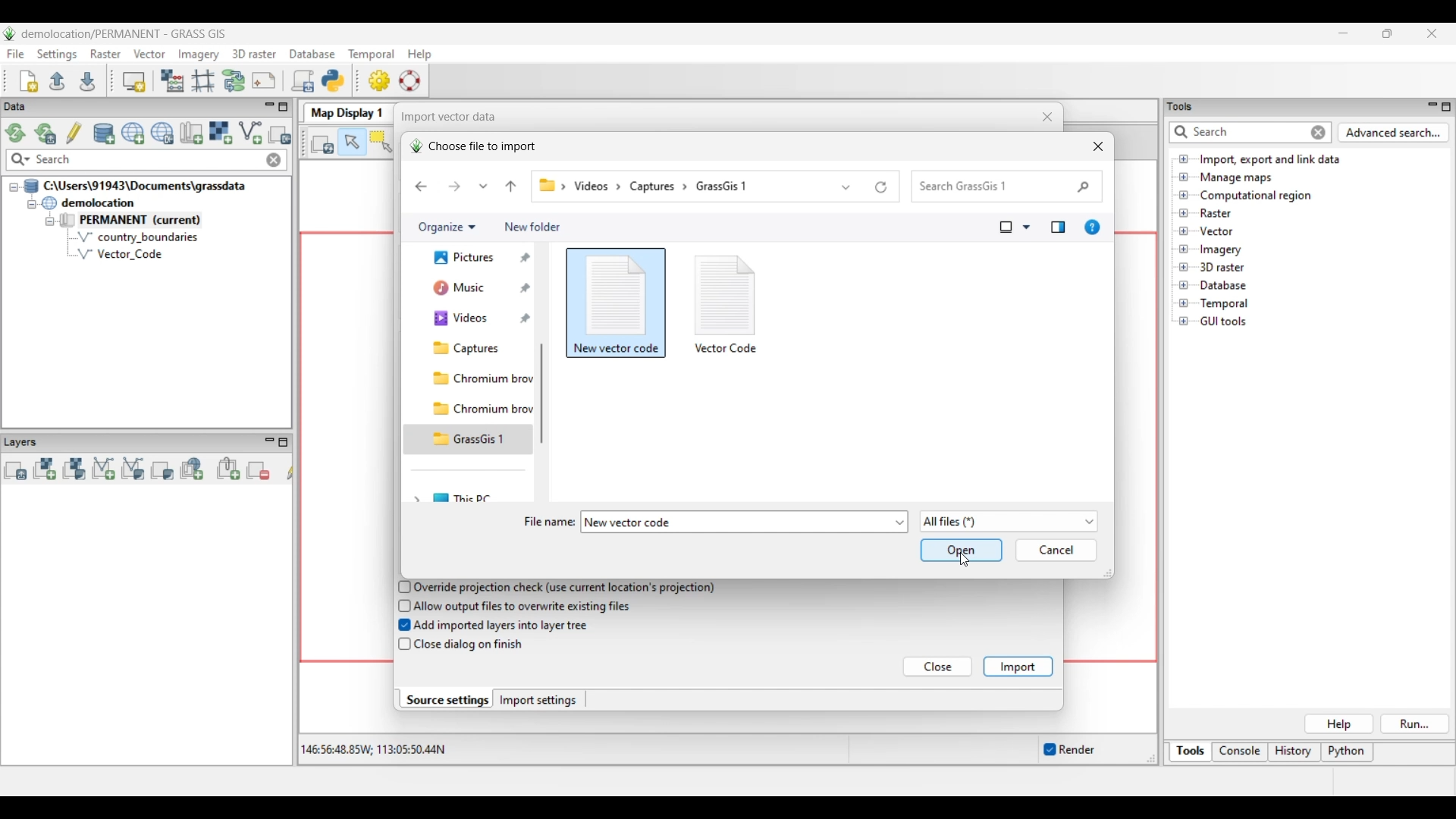 This screenshot has height=819, width=1456. Describe the element at coordinates (654, 186) in the screenshot. I see `capture` at that location.